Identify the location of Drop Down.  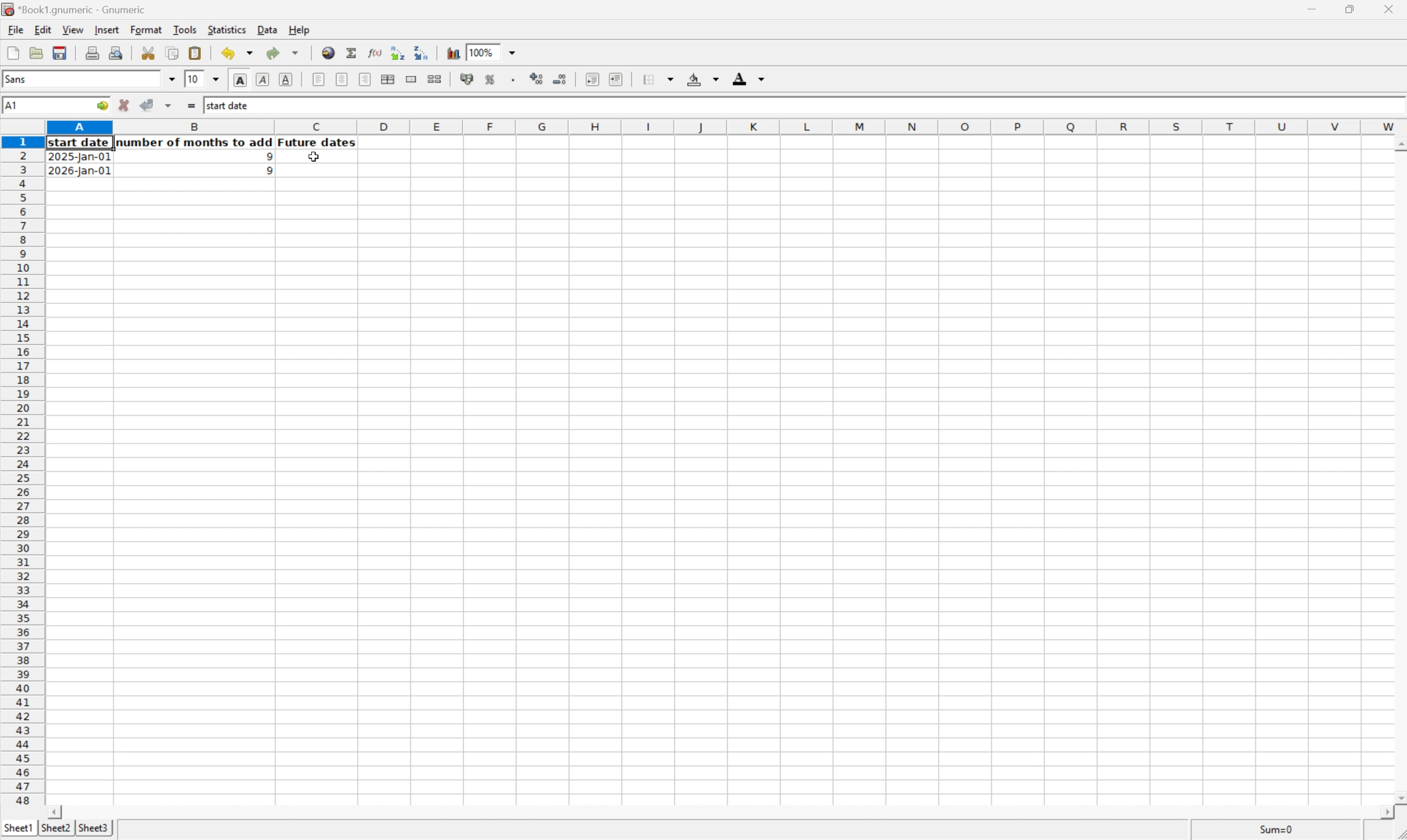
(173, 79).